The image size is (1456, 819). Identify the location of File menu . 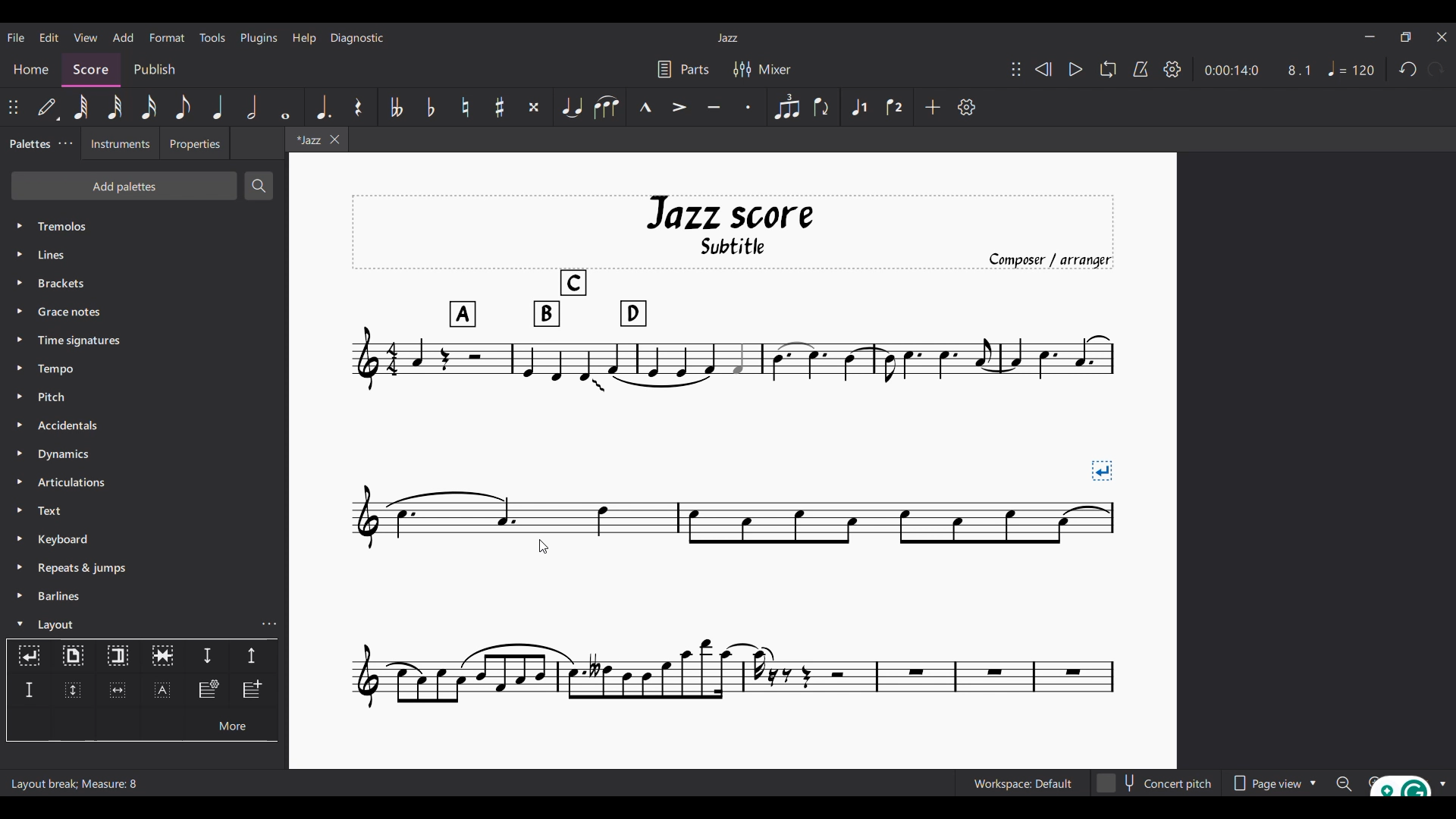
(16, 38).